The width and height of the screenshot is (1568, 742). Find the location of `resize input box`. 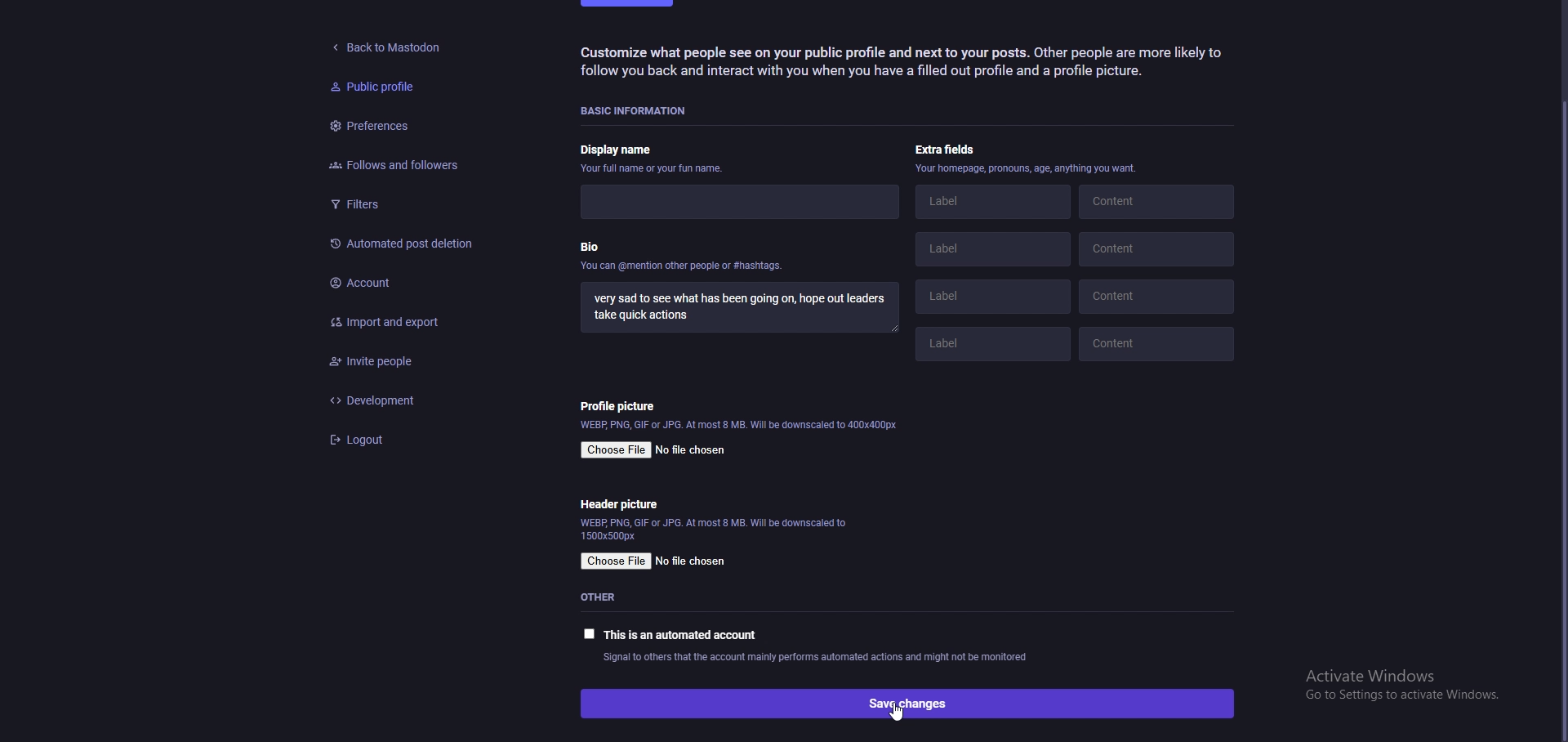

resize input box is located at coordinates (897, 330).